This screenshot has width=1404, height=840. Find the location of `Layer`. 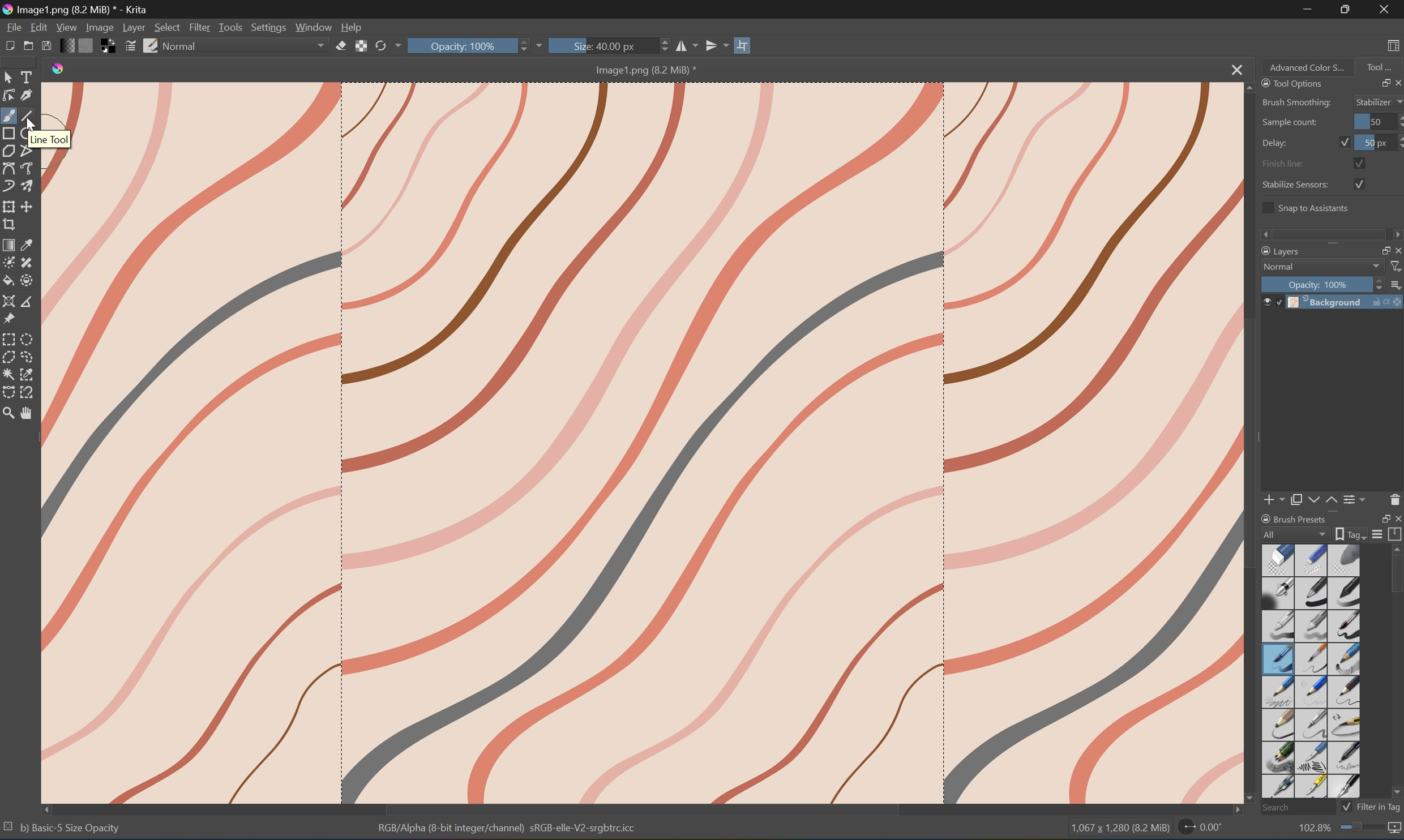

Layer is located at coordinates (134, 27).